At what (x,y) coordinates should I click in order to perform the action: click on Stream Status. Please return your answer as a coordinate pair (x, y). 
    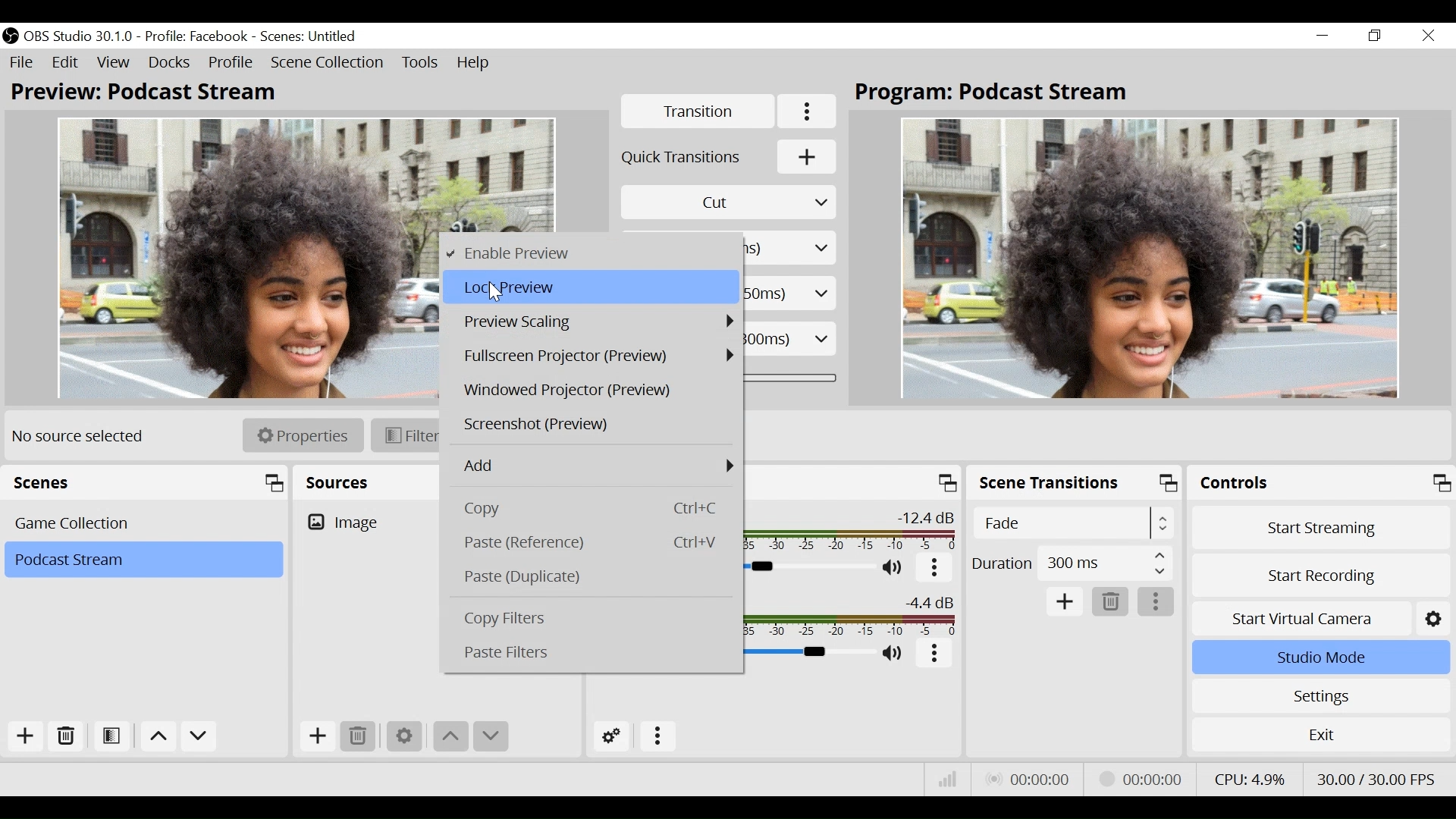
    Looking at the image, I should click on (1138, 779).